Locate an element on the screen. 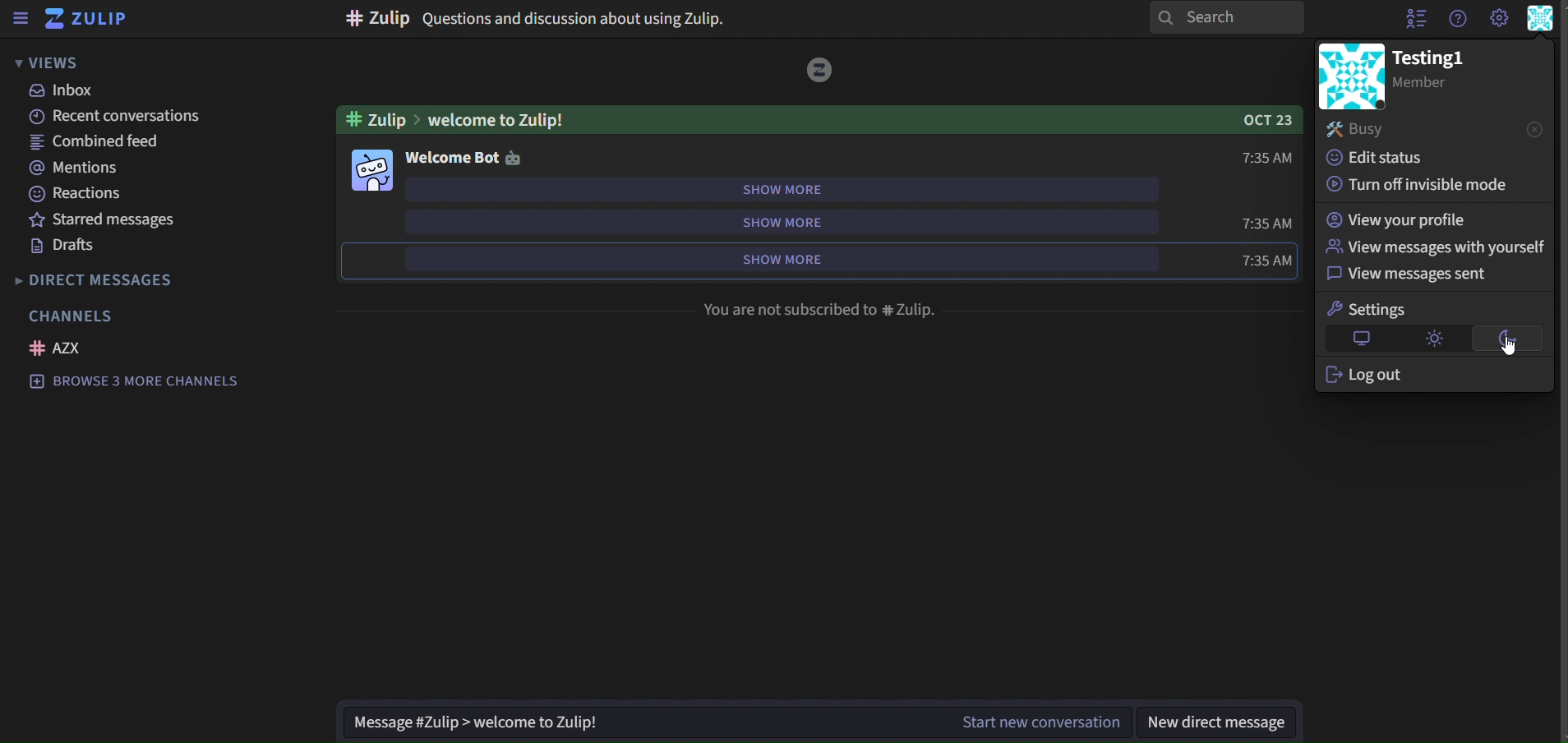 Image resolution: width=1568 pixels, height=743 pixels. sidebar is located at coordinates (21, 18).